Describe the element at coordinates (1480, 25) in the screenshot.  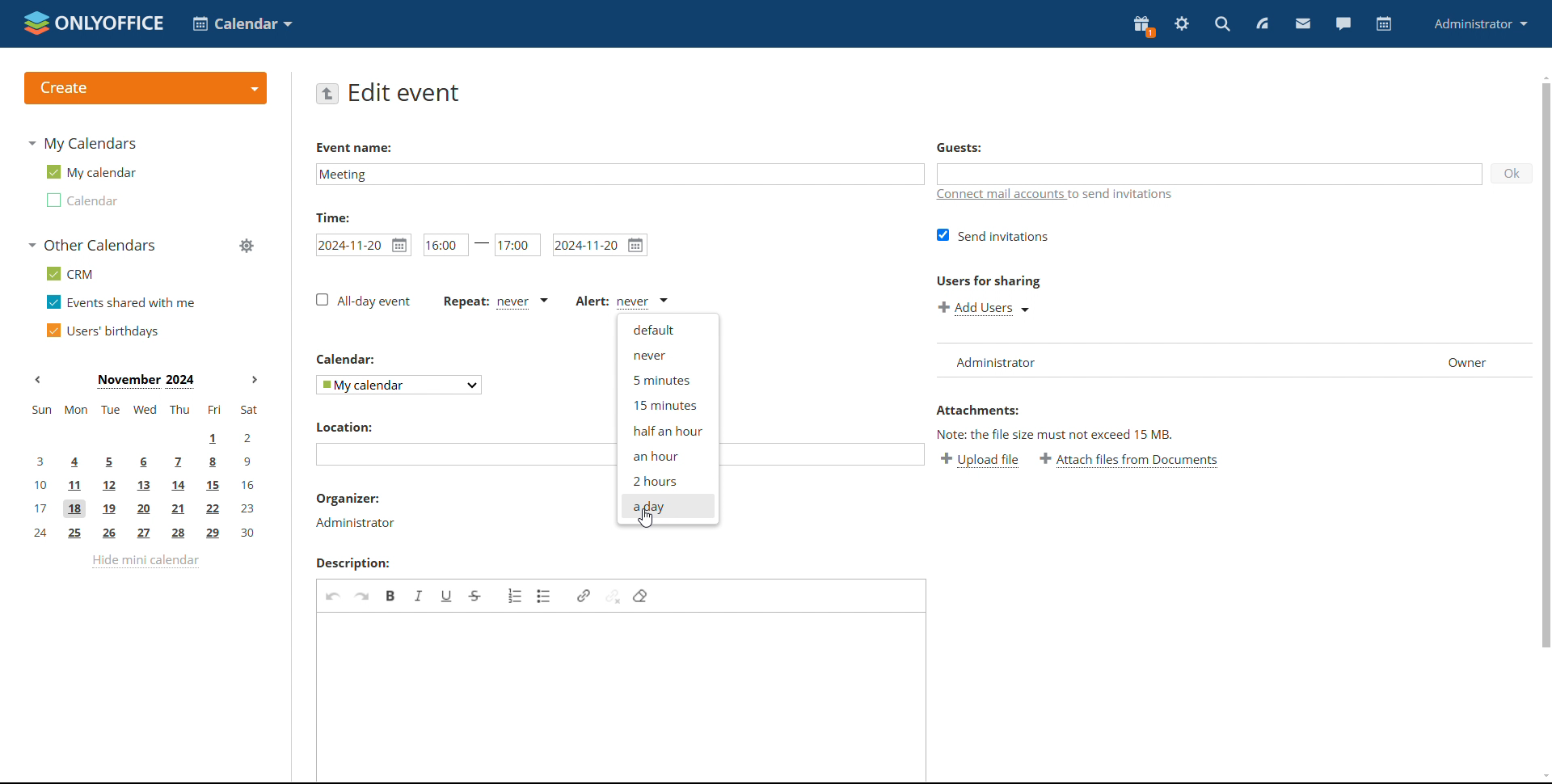
I see `profile` at that location.